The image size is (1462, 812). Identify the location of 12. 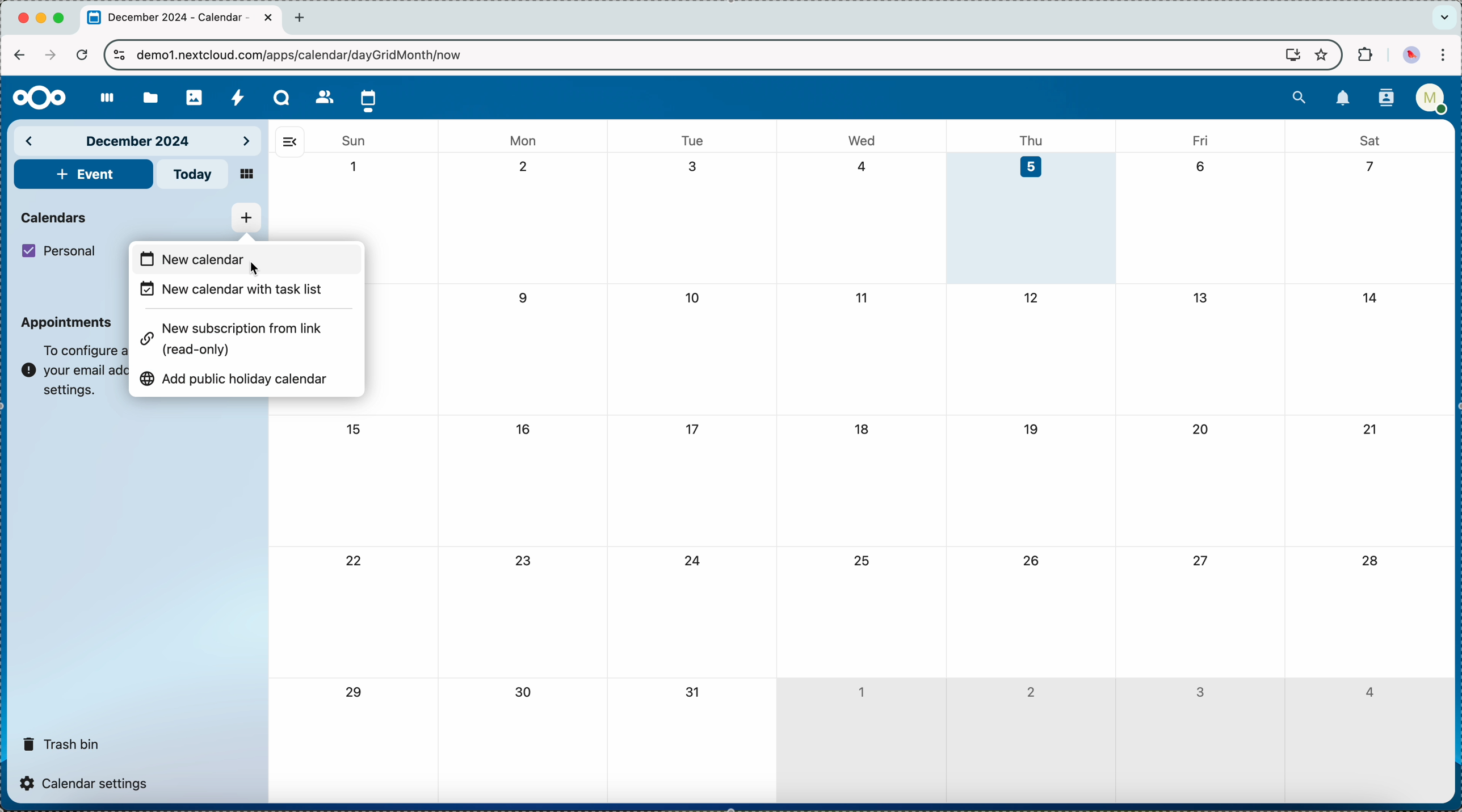
(1032, 298).